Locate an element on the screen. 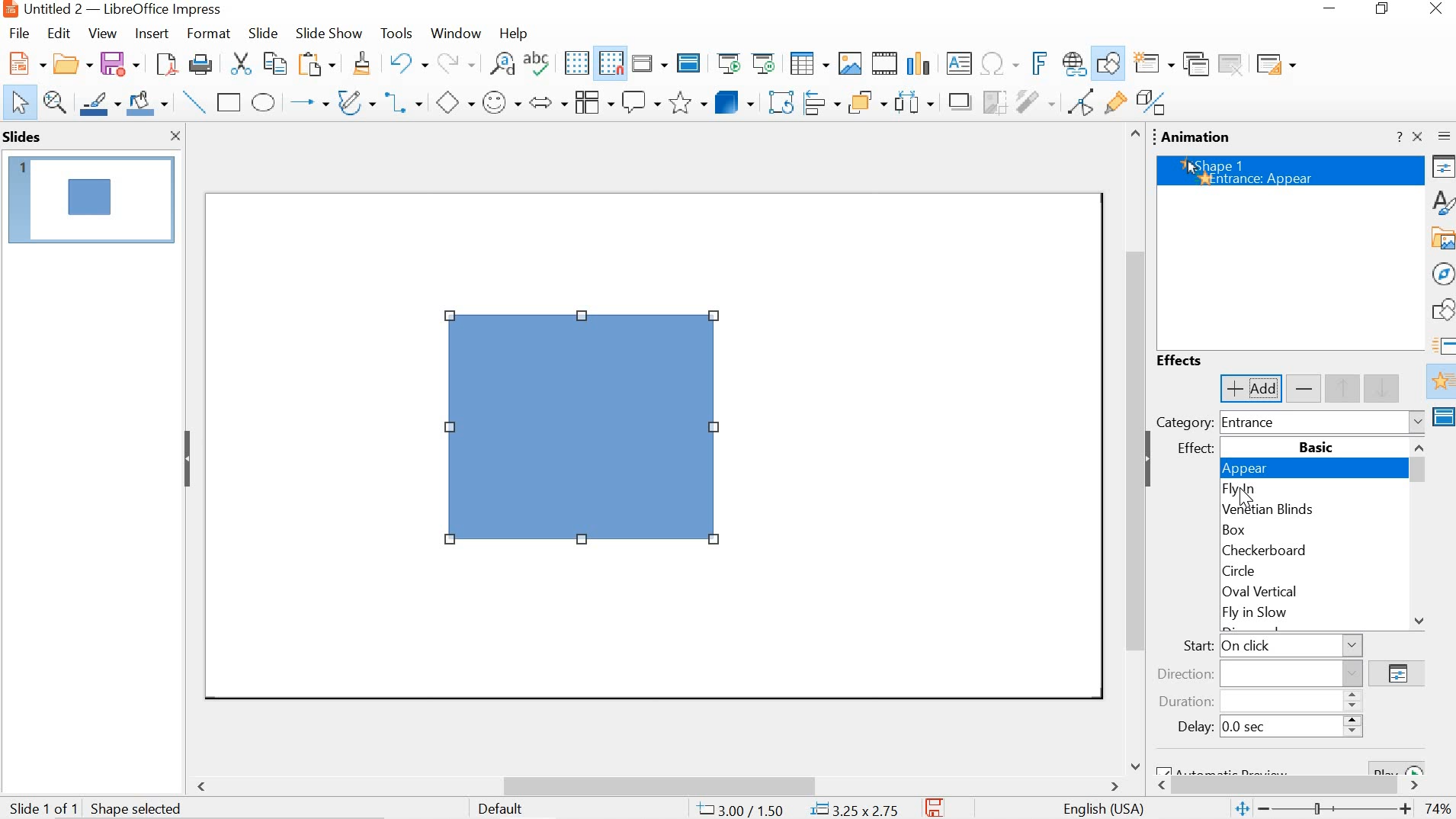  line color is located at coordinates (98, 101).